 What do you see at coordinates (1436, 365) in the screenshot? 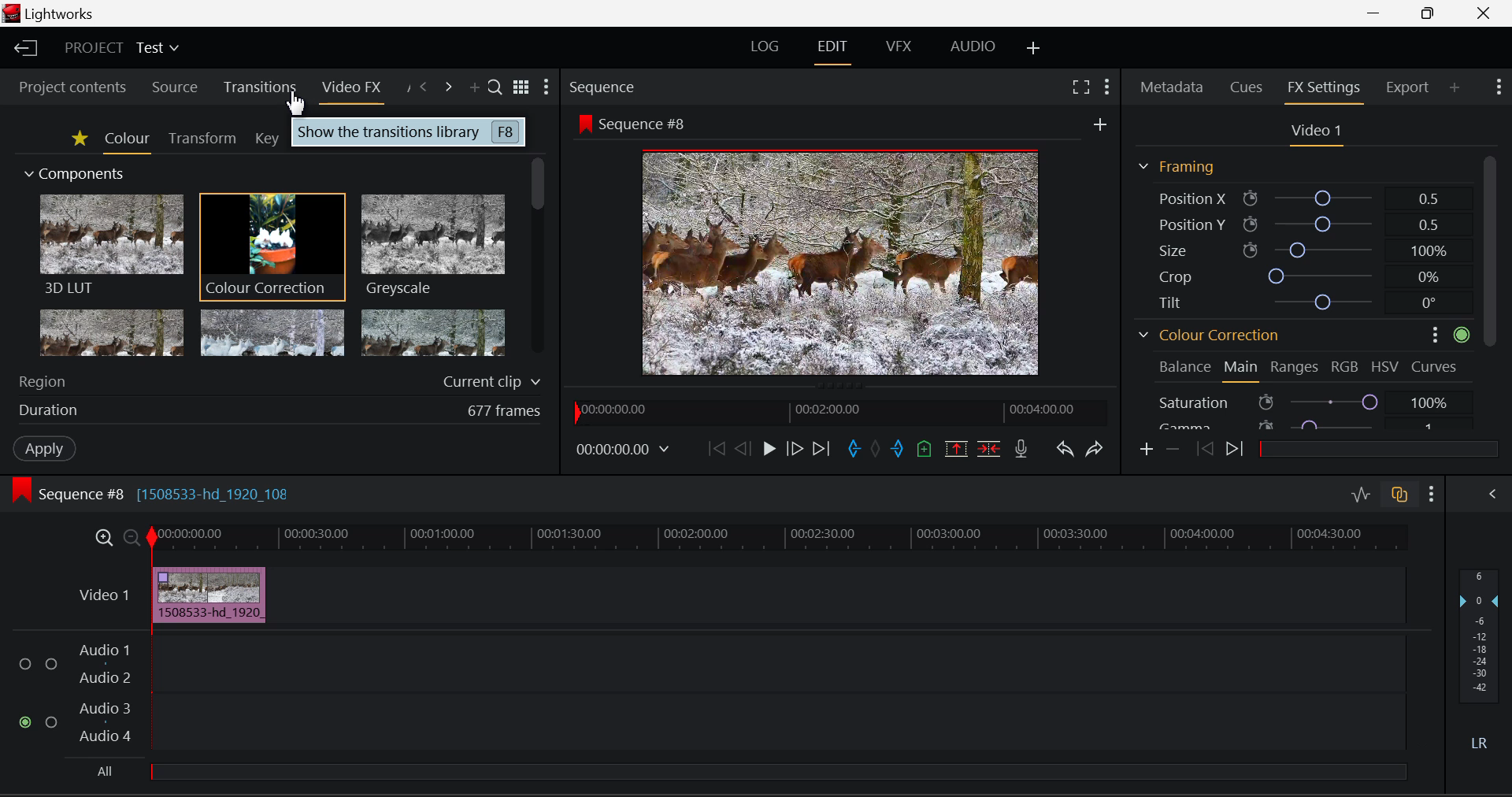
I see `Curves` at bounding box center [1436, 365].